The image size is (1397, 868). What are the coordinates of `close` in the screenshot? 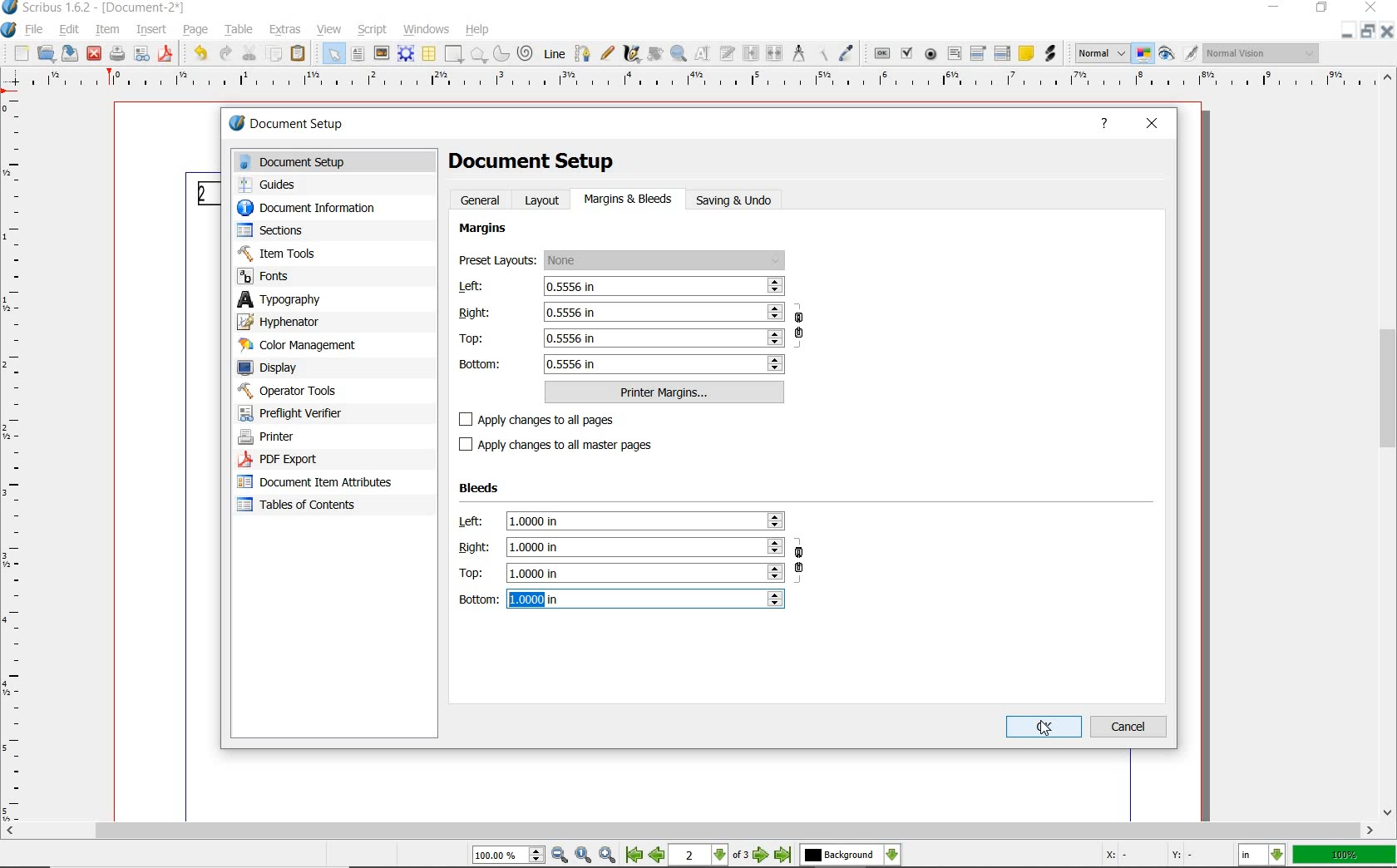 It's located at (1370, 8).